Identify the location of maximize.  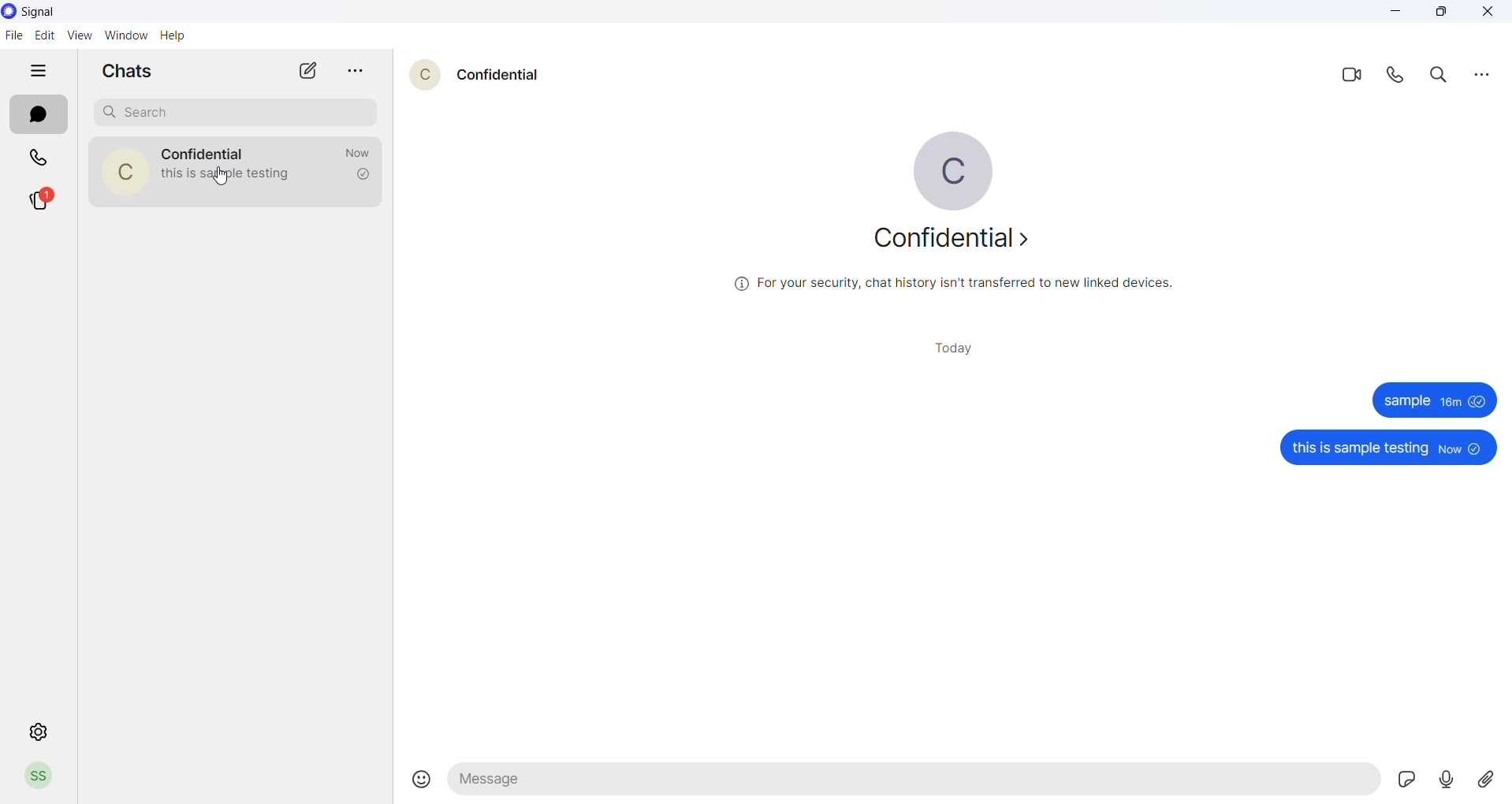
(1446, 15).